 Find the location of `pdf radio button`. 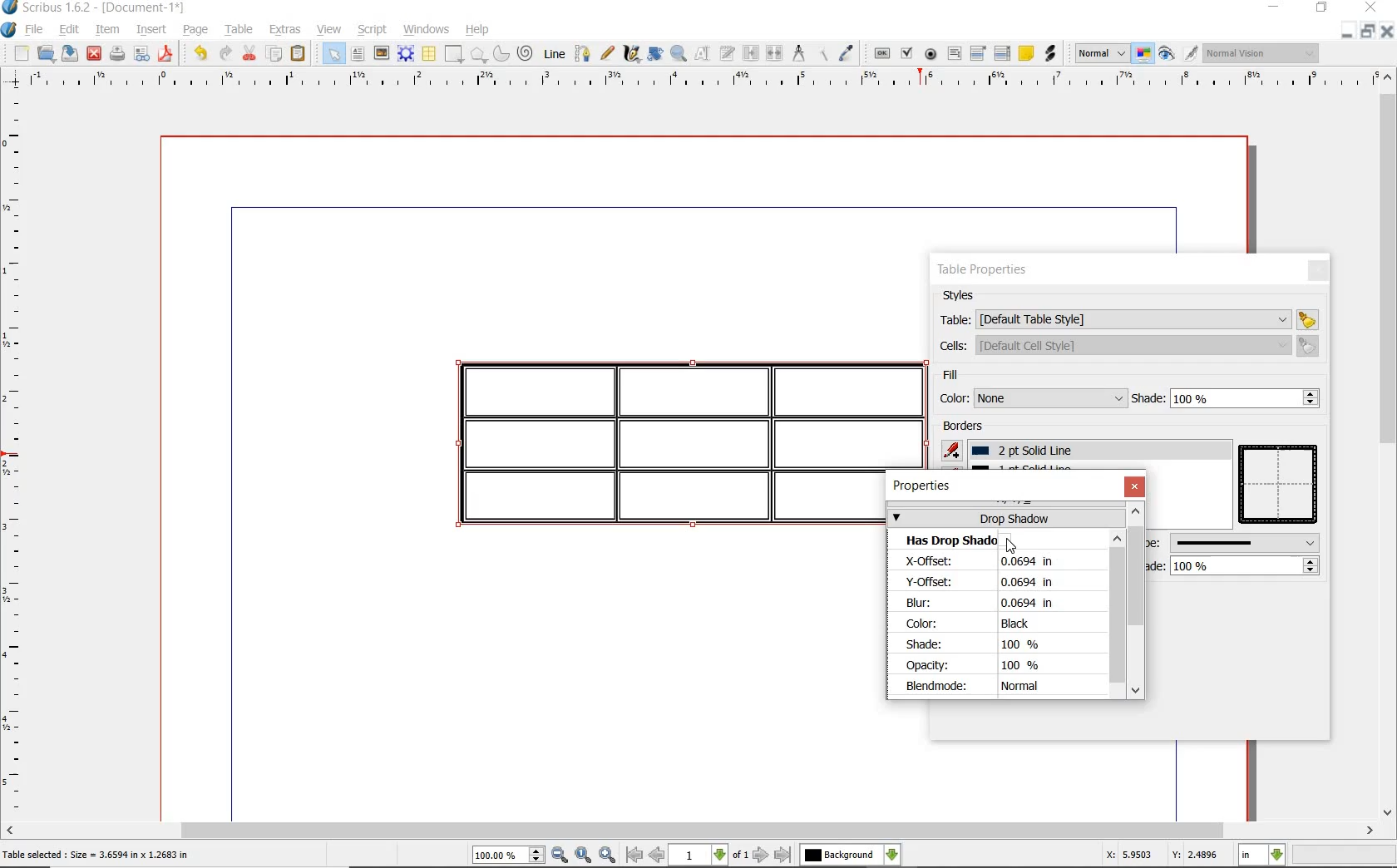

pdf radio button is located at coordinates (931, 55).